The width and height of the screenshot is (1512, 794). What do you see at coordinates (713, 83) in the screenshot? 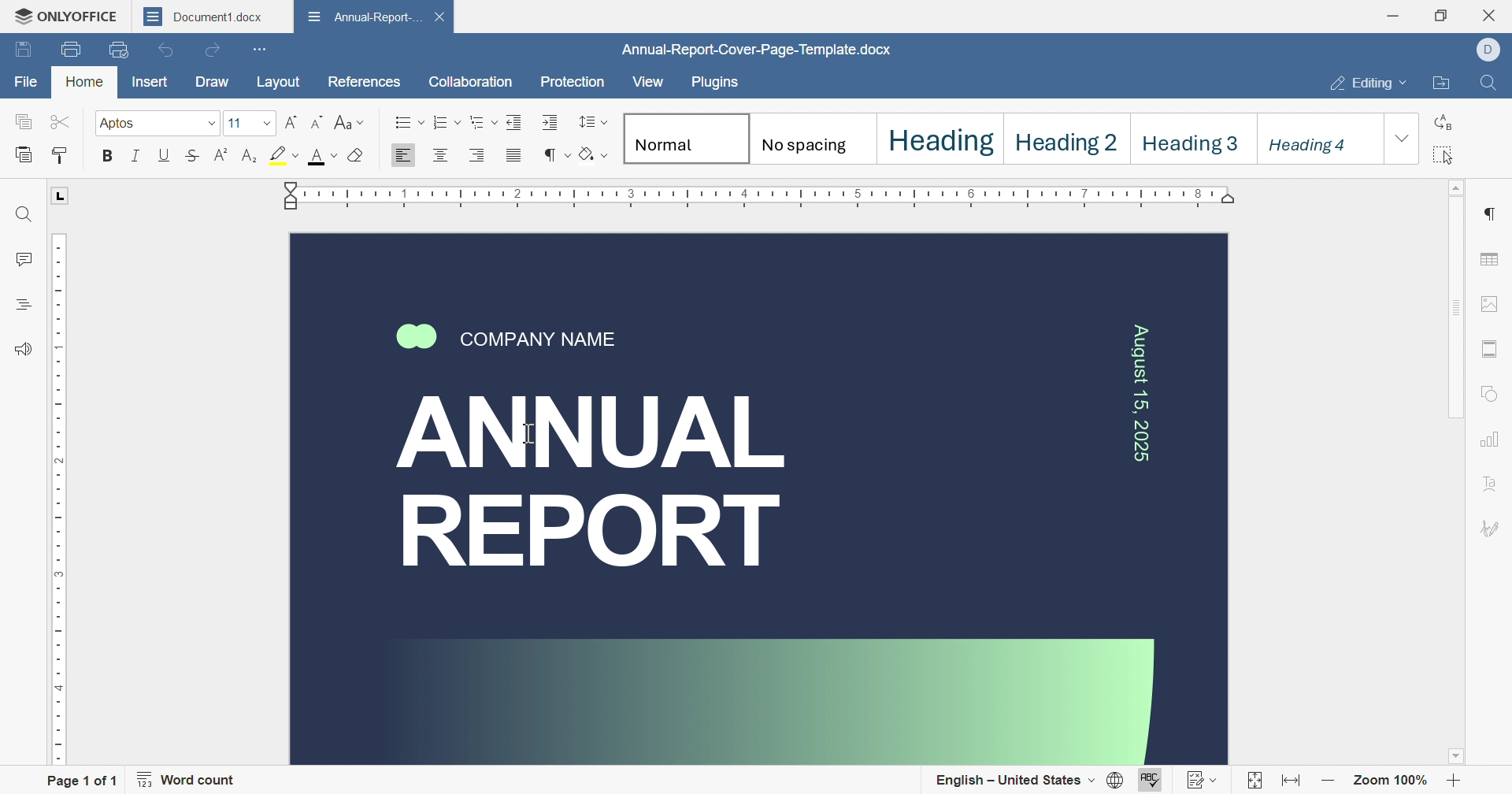
I see `plugins` at bounding box center [713, 83].